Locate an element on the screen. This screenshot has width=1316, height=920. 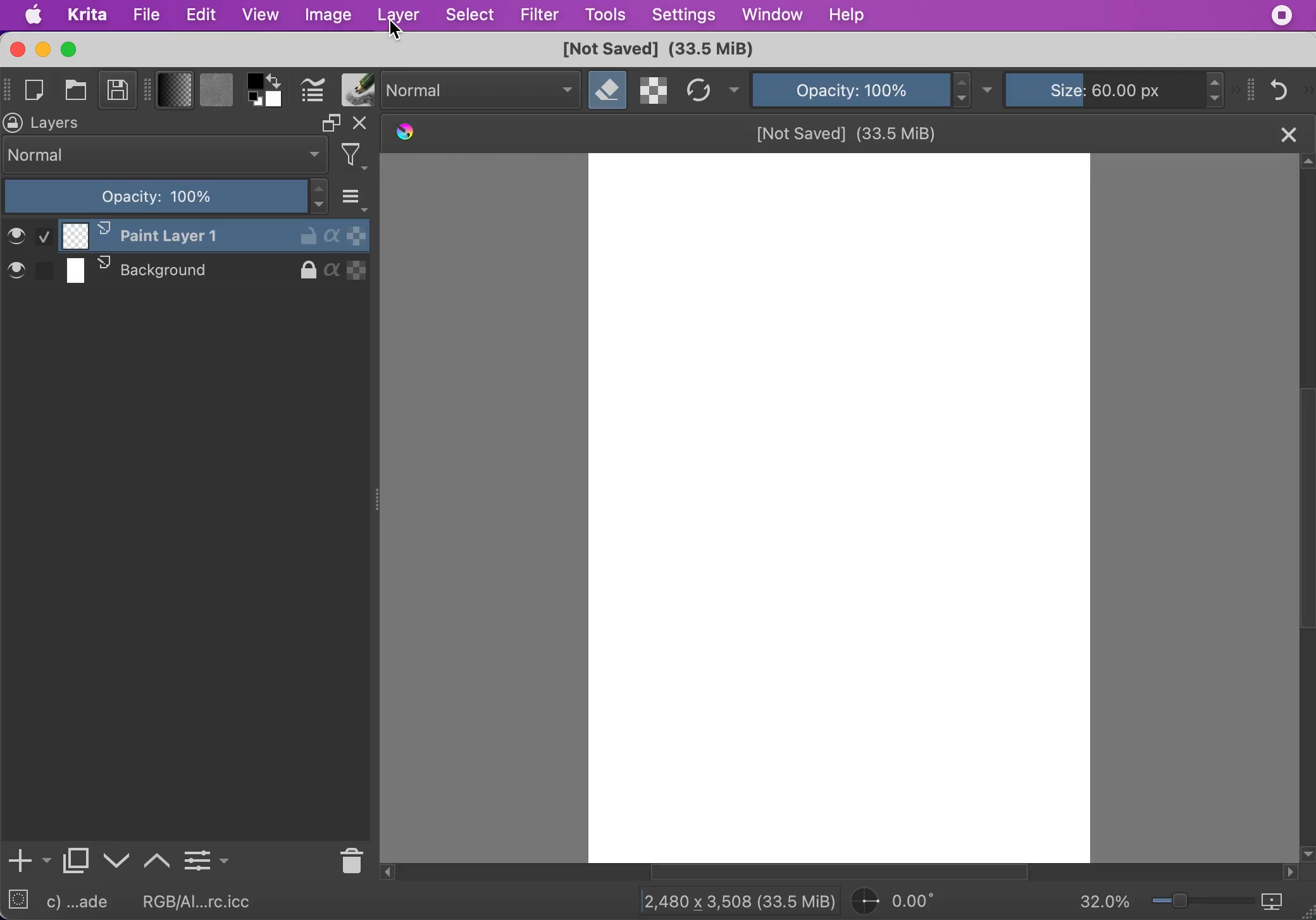
close docker is located at coordinates (363, 125).